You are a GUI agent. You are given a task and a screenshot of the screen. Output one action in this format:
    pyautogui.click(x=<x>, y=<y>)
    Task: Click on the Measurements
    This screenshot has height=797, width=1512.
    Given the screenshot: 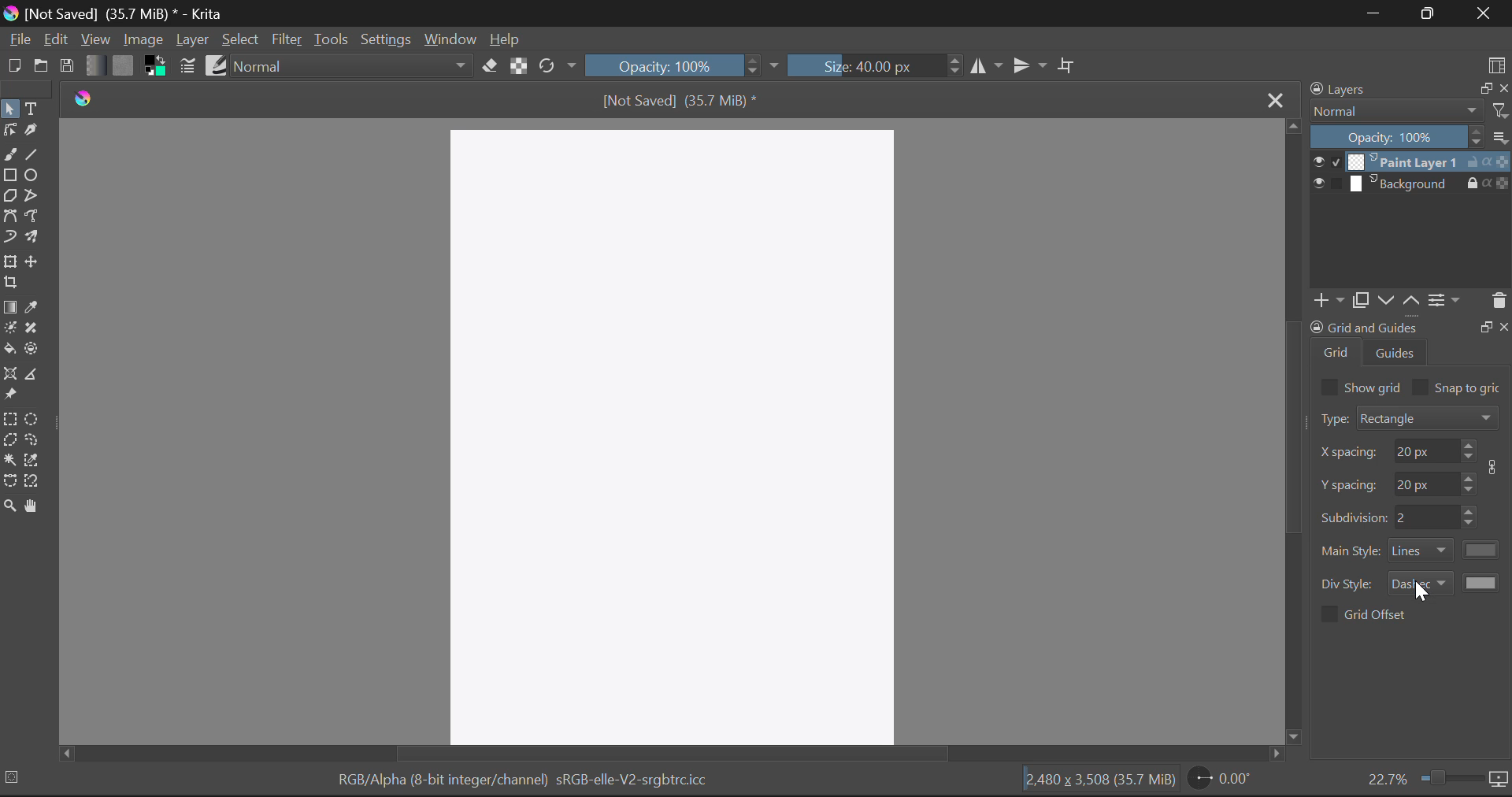 What is the action you would take?
    pyautogui.click(x=36, y=376)
    